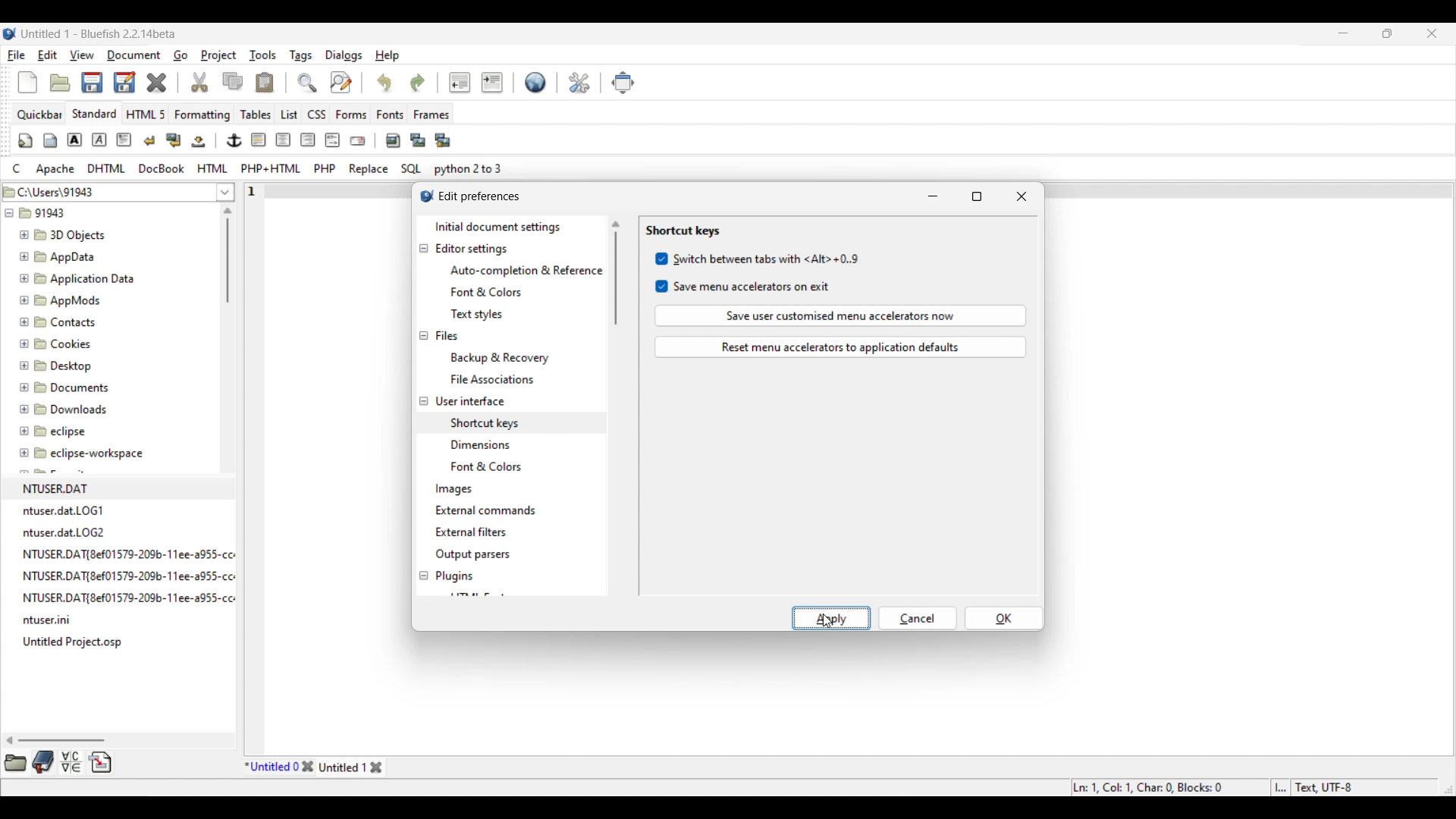  Describe the element at coordinates (504, 357) in the screenshot. I see `Backup & Recovery` at that location.